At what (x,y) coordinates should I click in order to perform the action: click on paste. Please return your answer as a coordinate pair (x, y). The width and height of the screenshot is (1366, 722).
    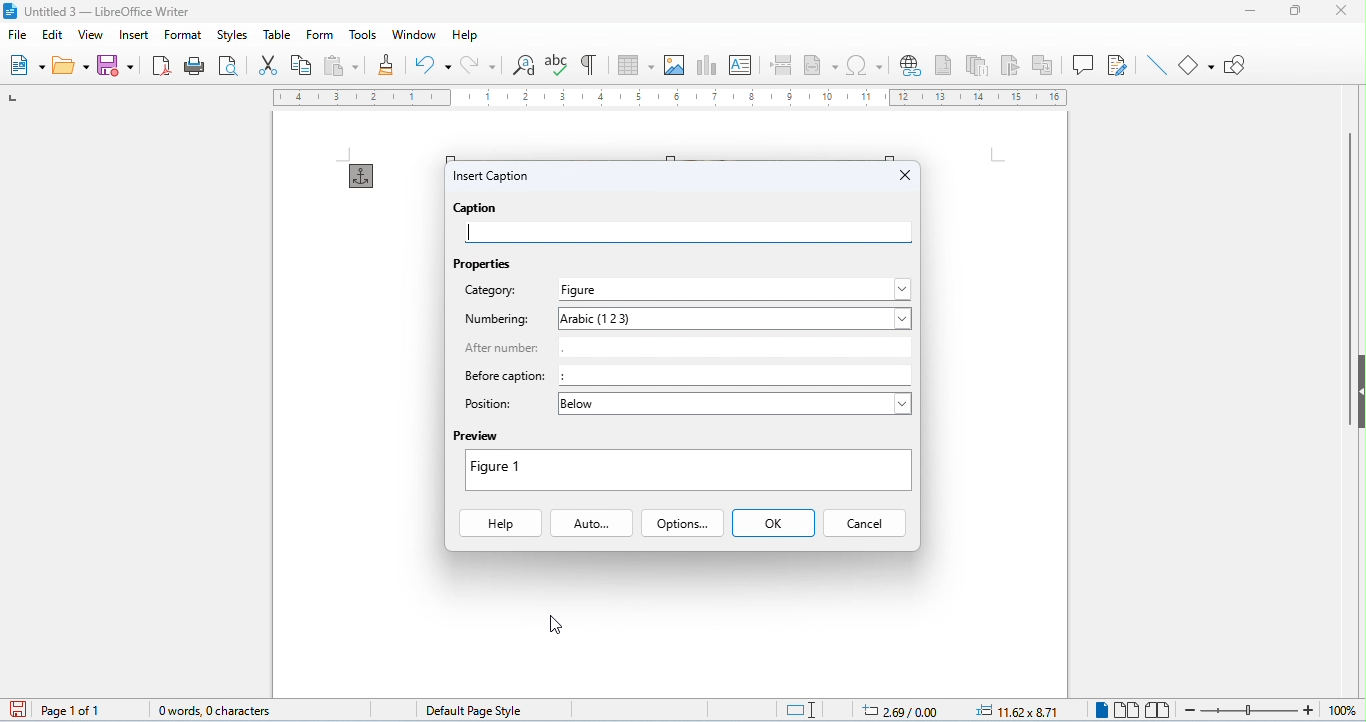
    Looking at the image, I should click on (341, 65).